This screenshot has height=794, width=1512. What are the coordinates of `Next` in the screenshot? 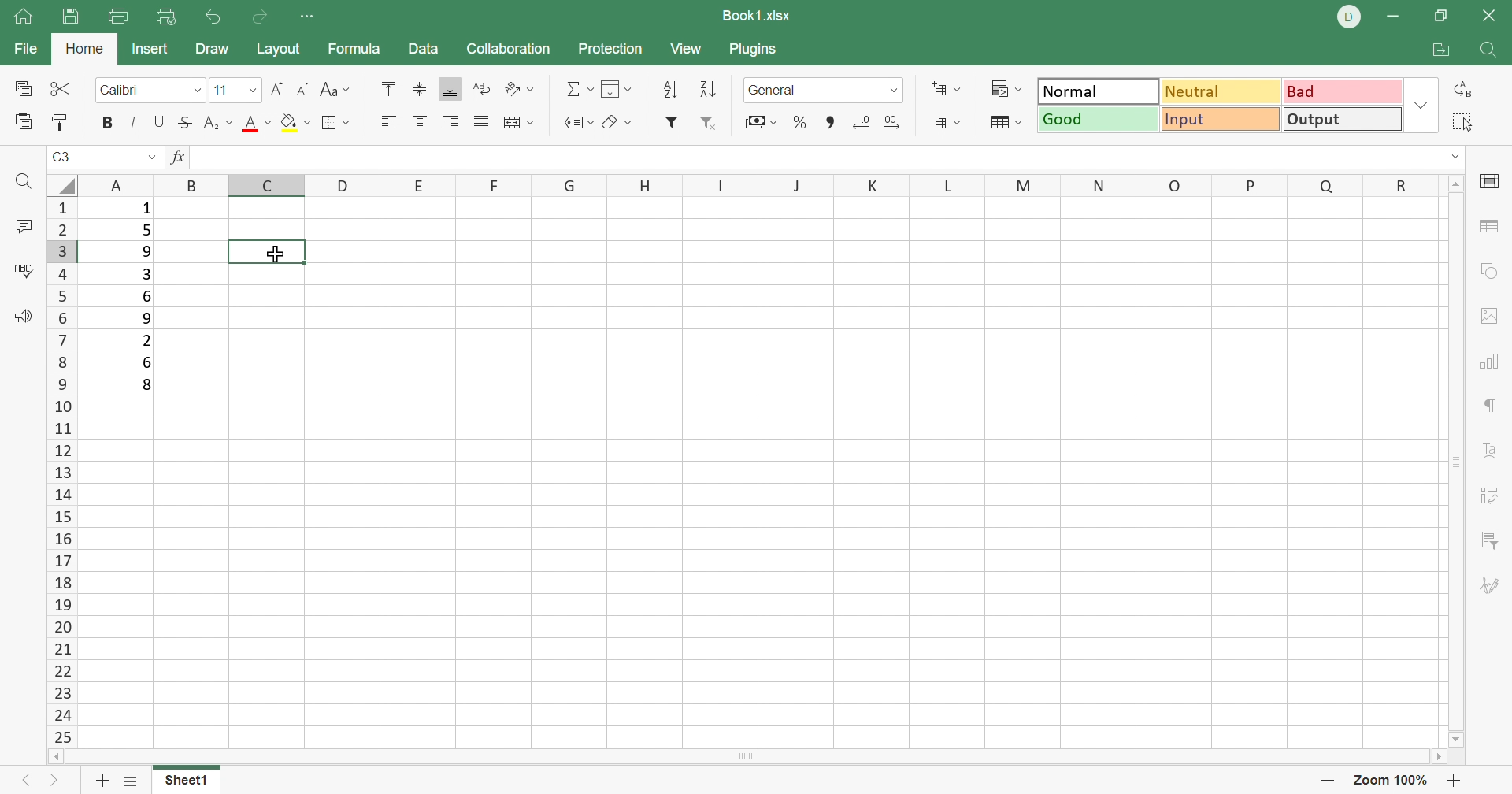 It's located at (50, 784).